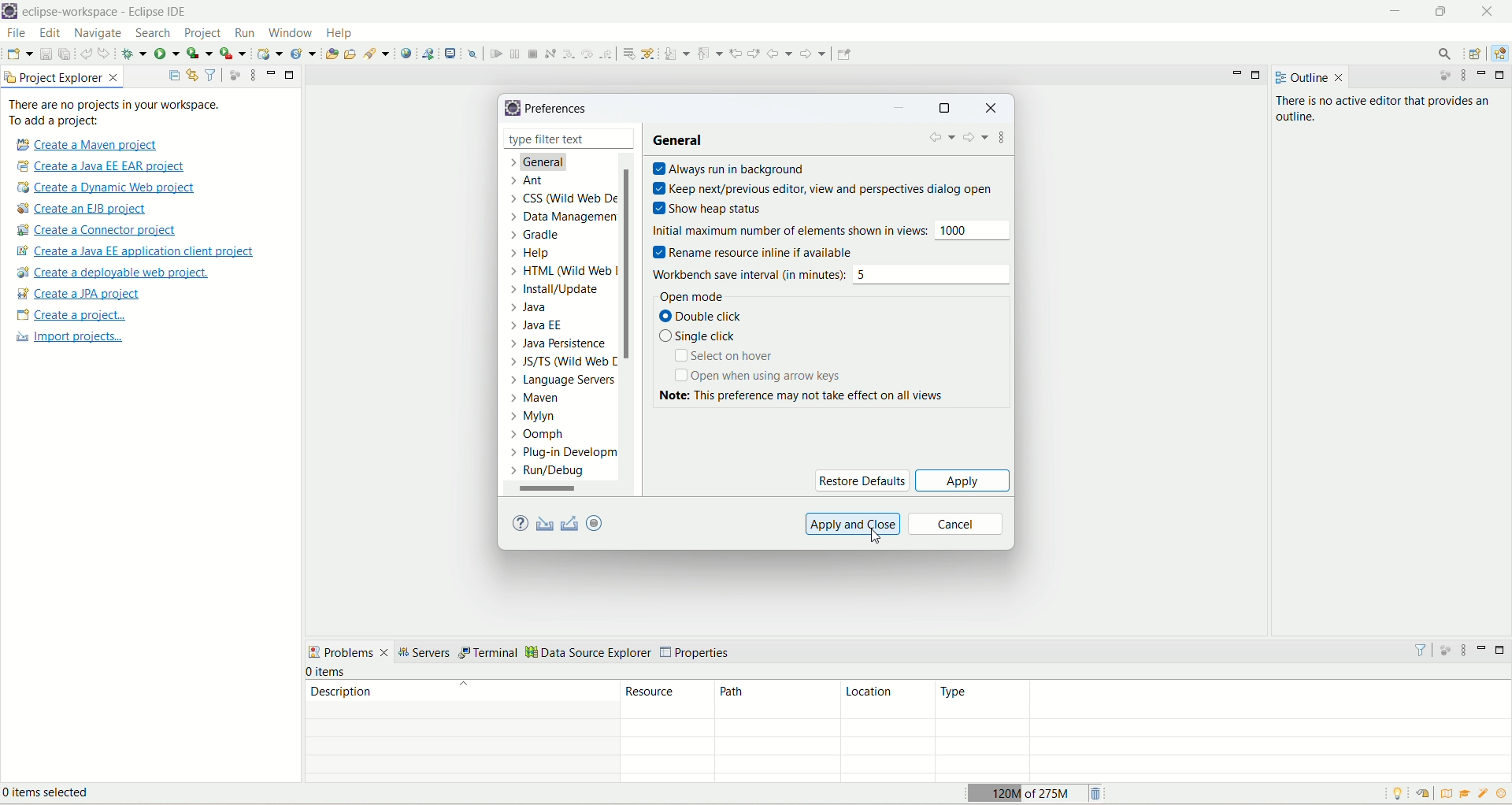 This screenshot has width=1512, height=805. What do you see at coordinates (19, 54) in the screenshot?
I see `new` at bounding box center [19, 54].